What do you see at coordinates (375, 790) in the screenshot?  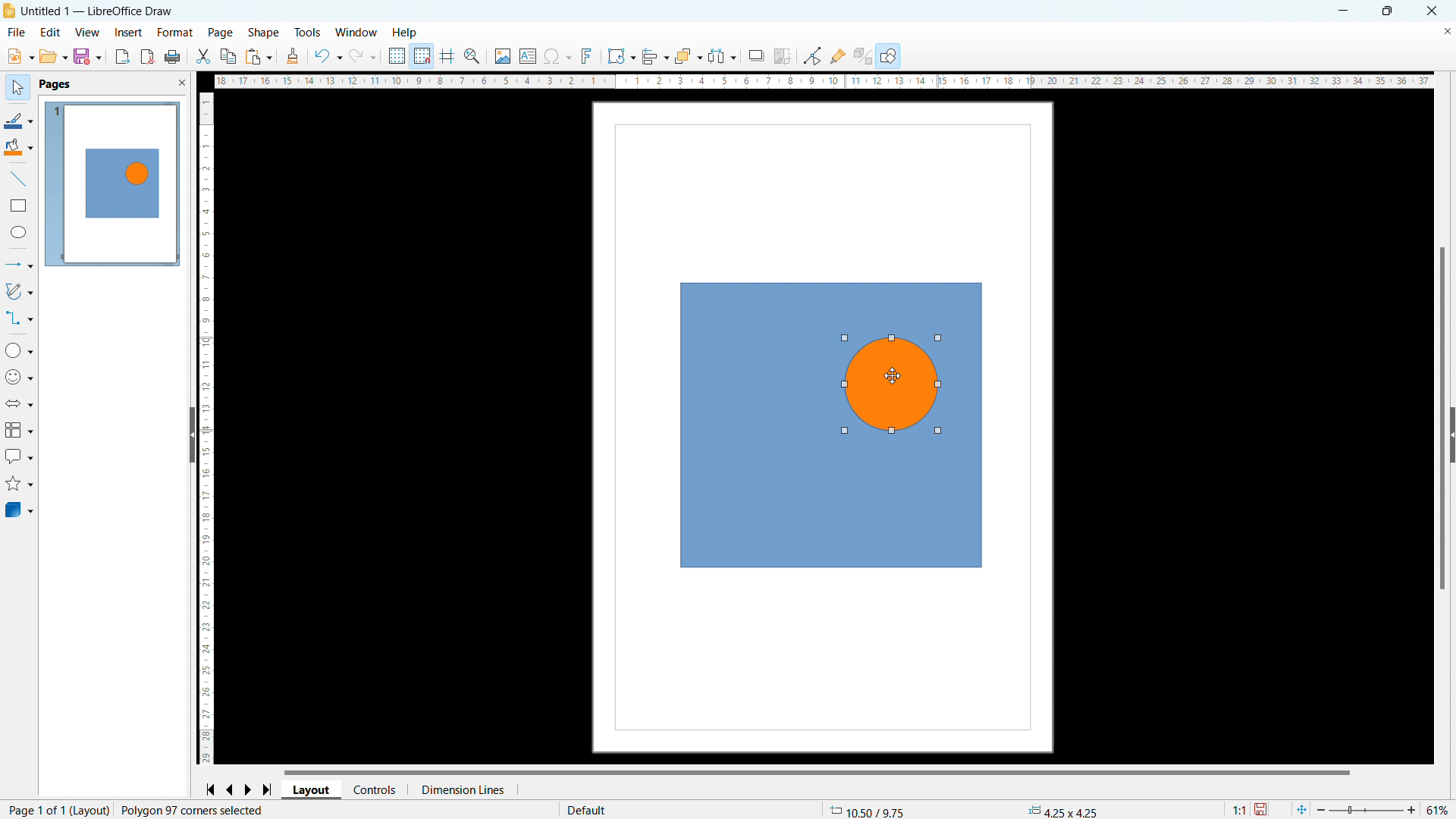 I see `controls` at bounding box center [375, 790].